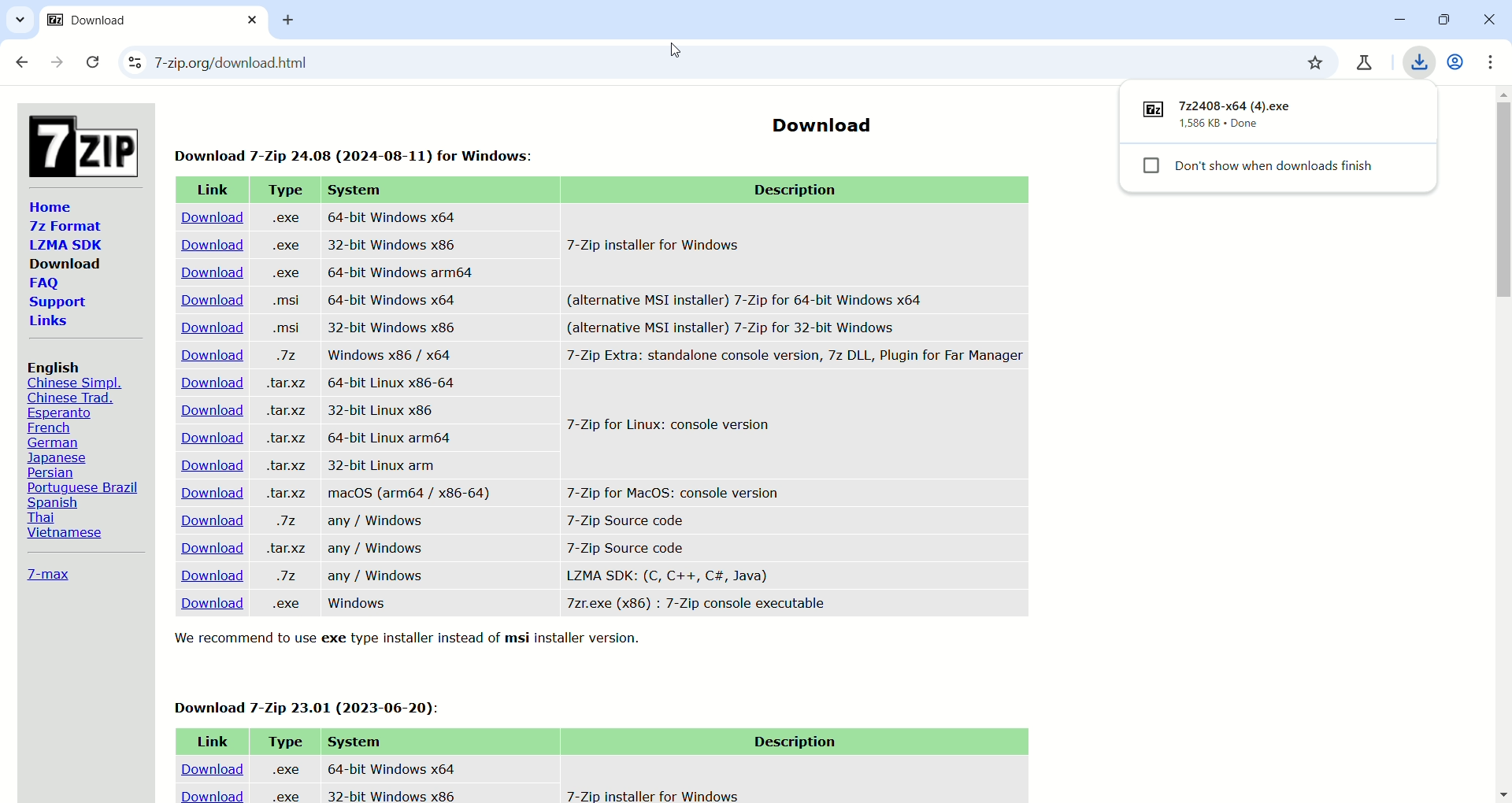 The image size is (1512, 803). I want to click on Download, so click(211, 439).